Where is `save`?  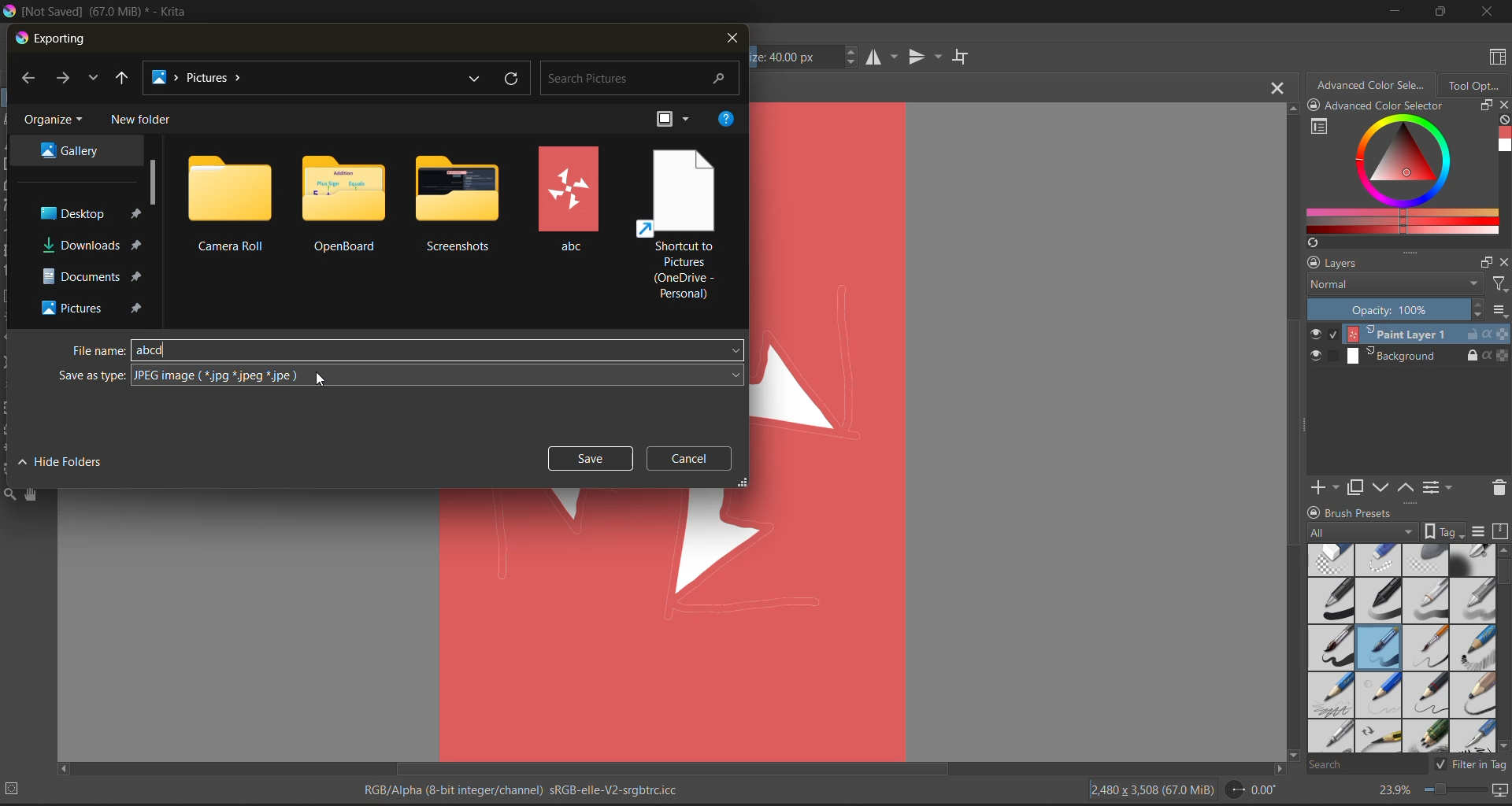
save is located at coordinates (588, 458).